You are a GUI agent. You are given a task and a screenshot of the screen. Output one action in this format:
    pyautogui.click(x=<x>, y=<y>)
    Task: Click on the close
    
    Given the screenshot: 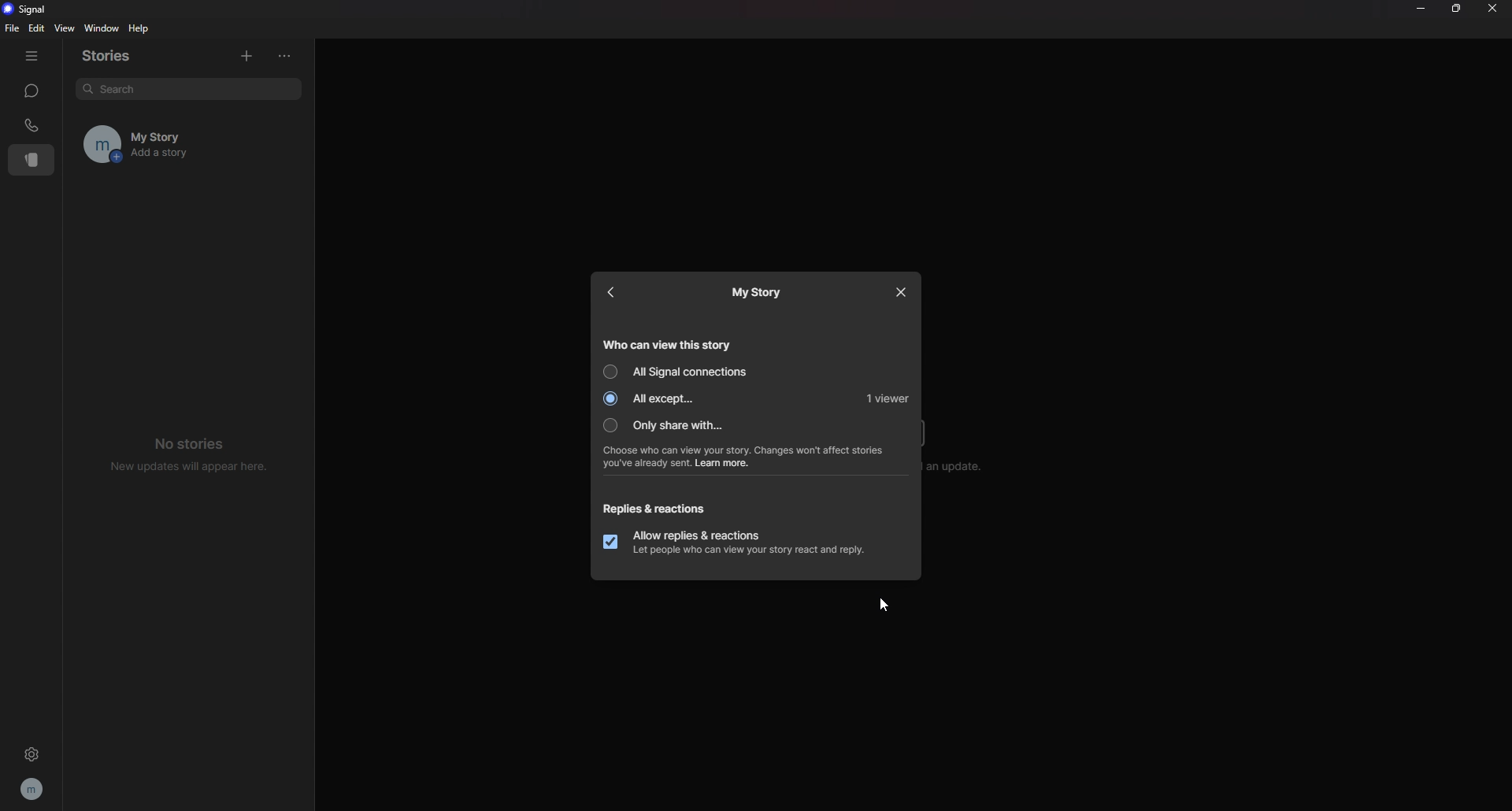 What is the action you would take?
    pyautogui.click(x=1492, y=7)
    